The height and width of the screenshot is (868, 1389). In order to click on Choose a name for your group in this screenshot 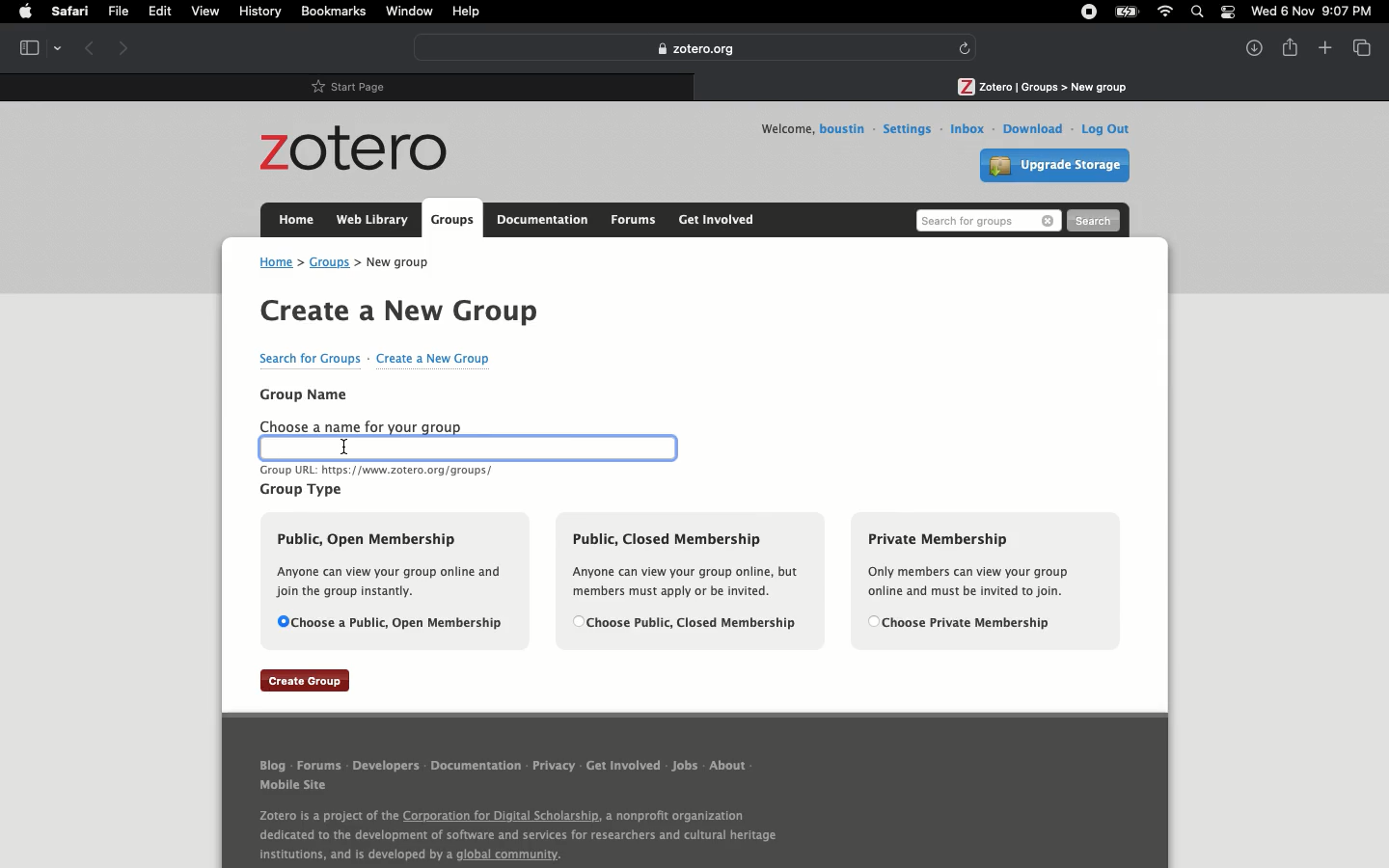, I will do `click(363, 426)`.